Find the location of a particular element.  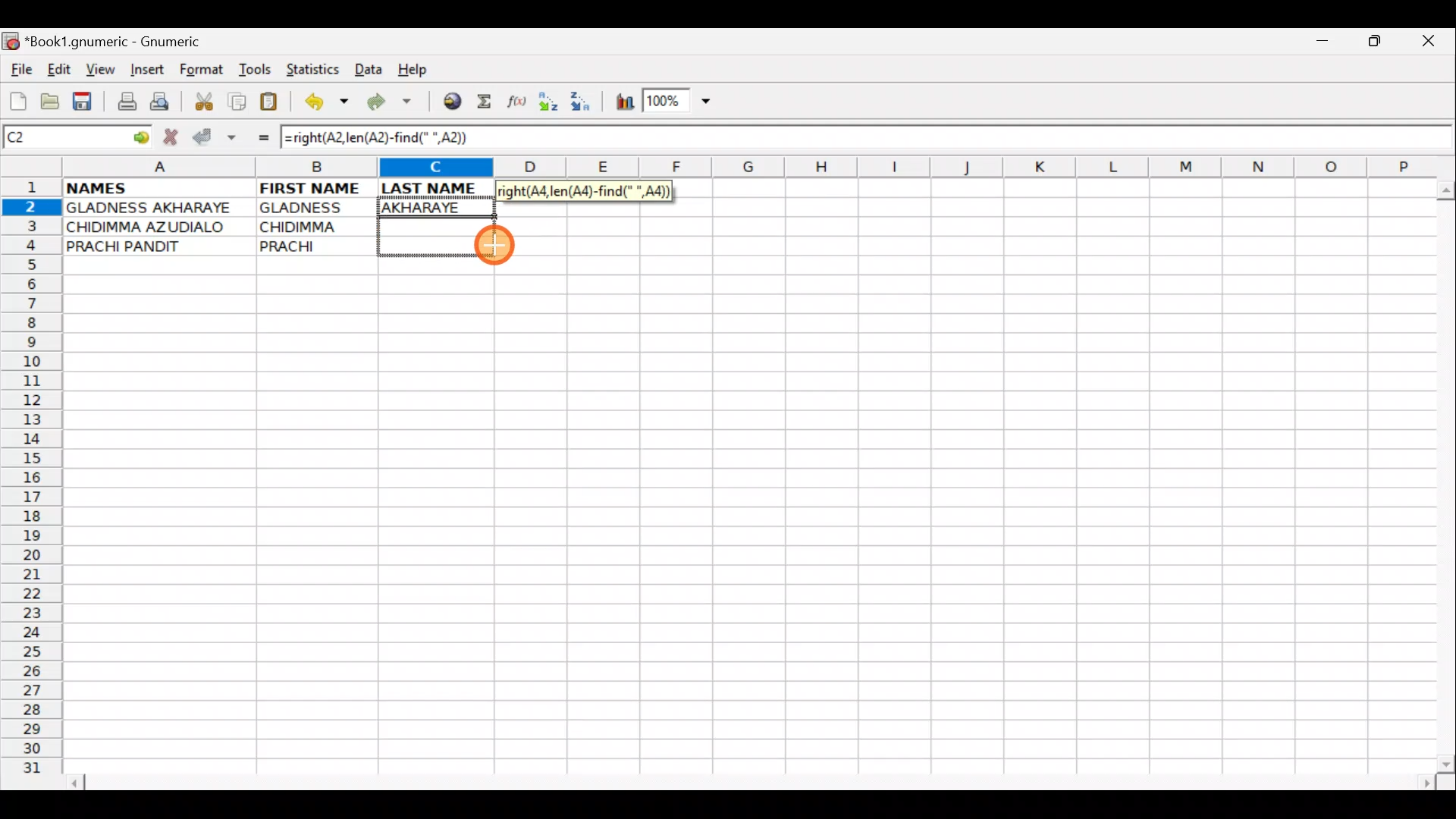

PRACHI is located at coordinates (317, 243).